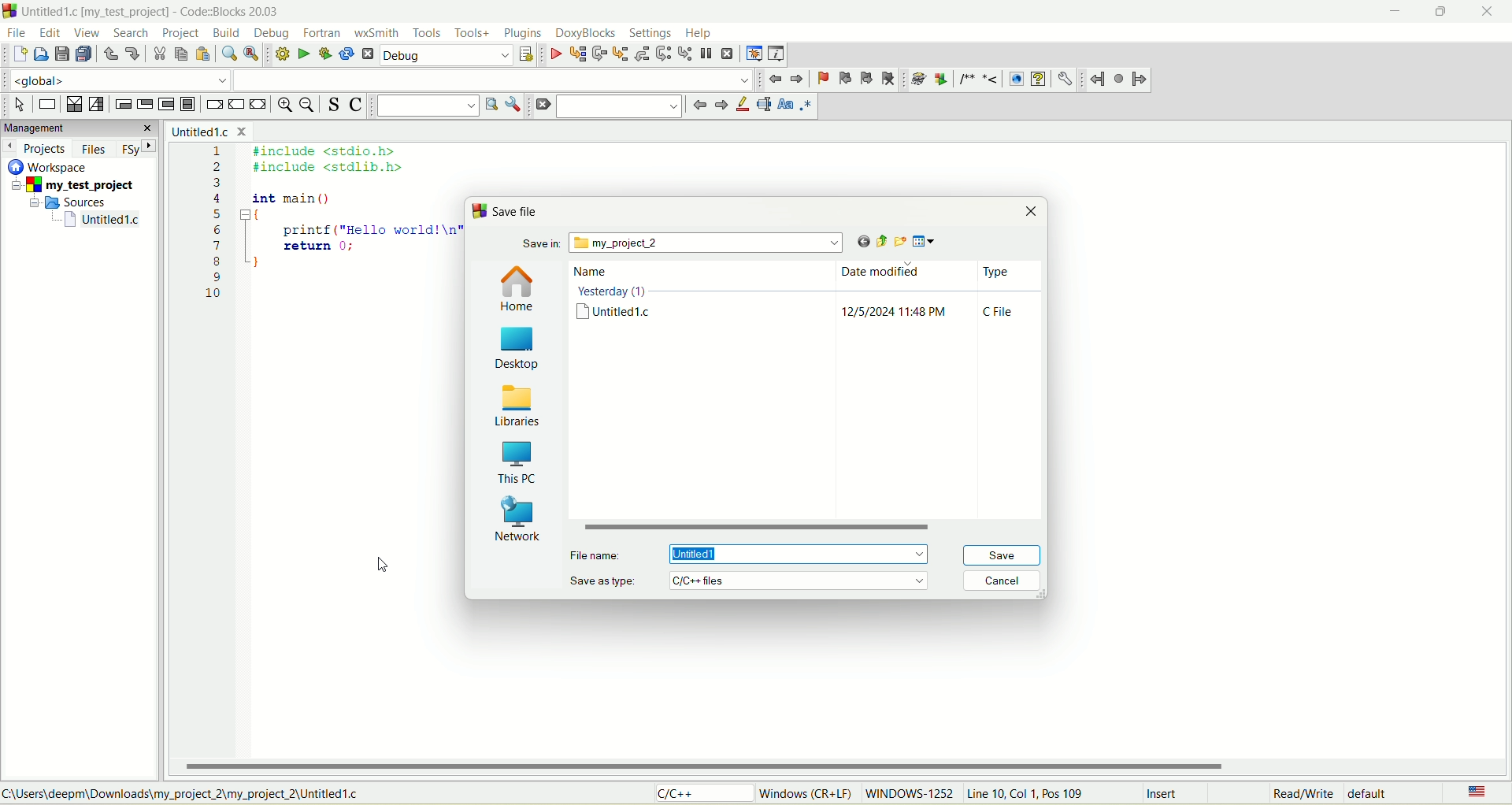 This screenshot has height=805, width=1512. What do you see at coordinates (809, 529) in the screenshot?
I see `scroll bar` at bounding box center [809, 529].